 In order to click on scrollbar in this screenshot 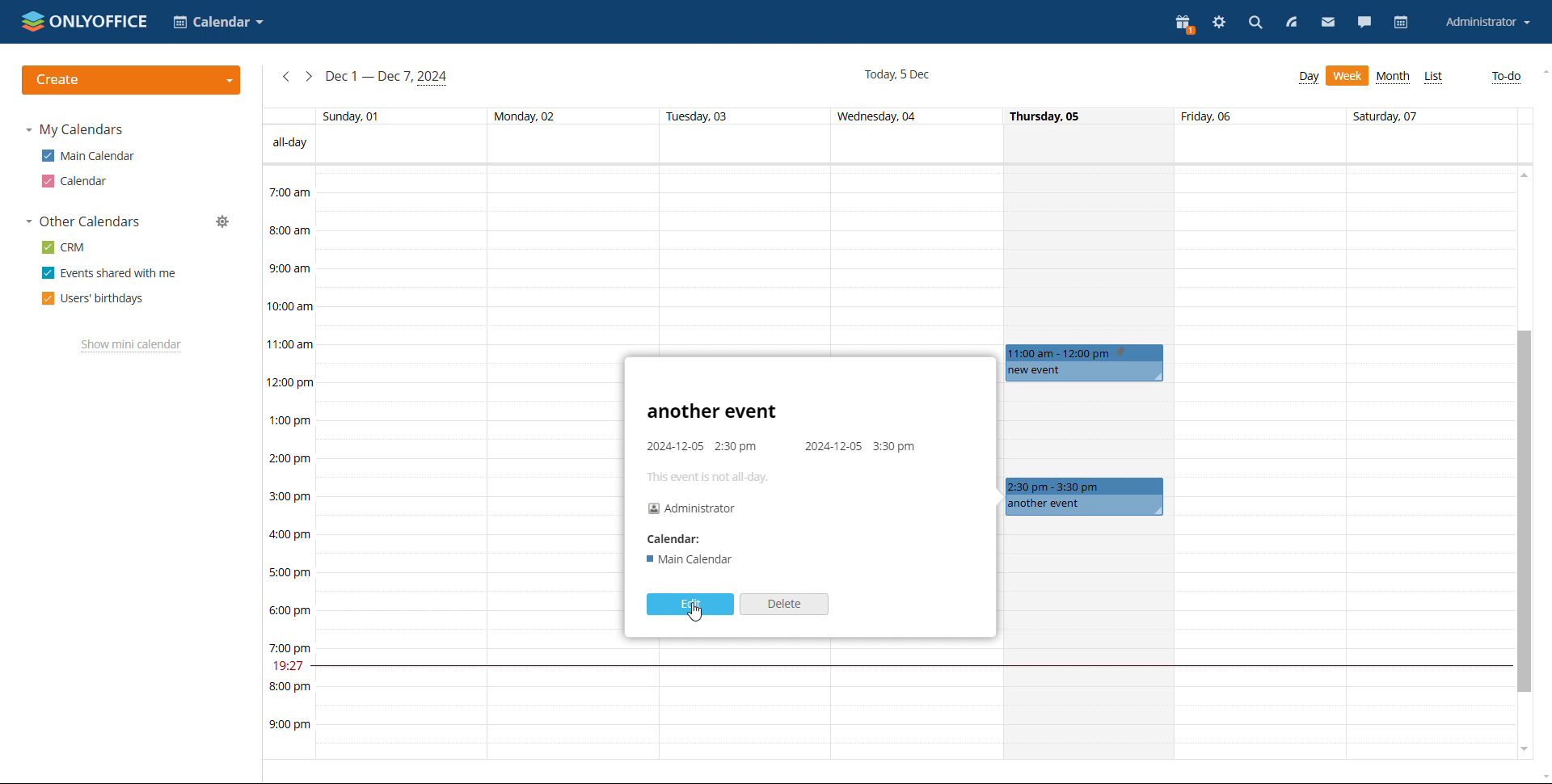, I will do `click(1524, 512)`.